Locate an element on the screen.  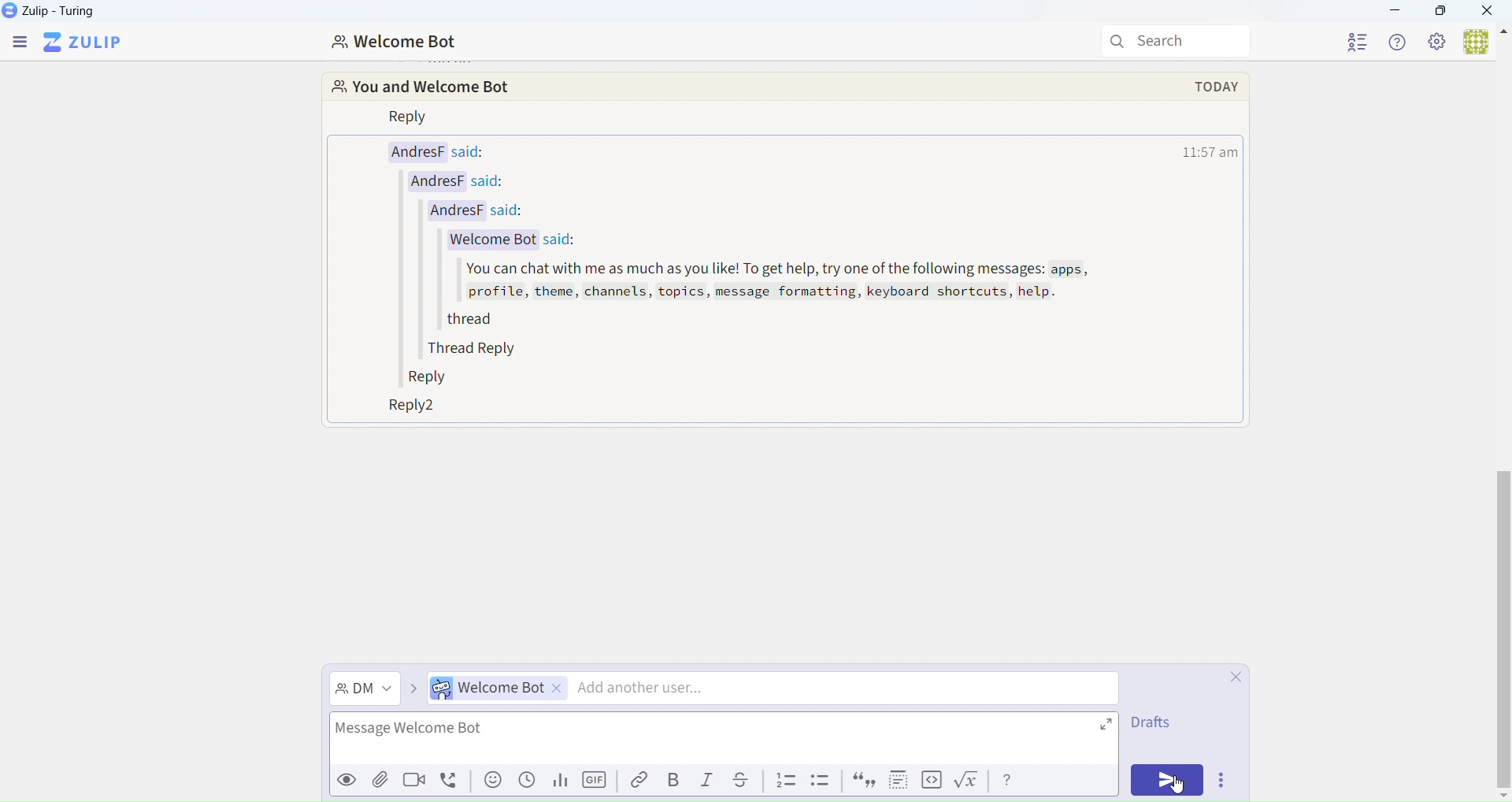
You can chat with me as much as you like! To get help, try one of the following messages: apps,
profile, theme, channels, topics, message formatting, keyboard shortcuts, help. is located at coordinates (776, 281).